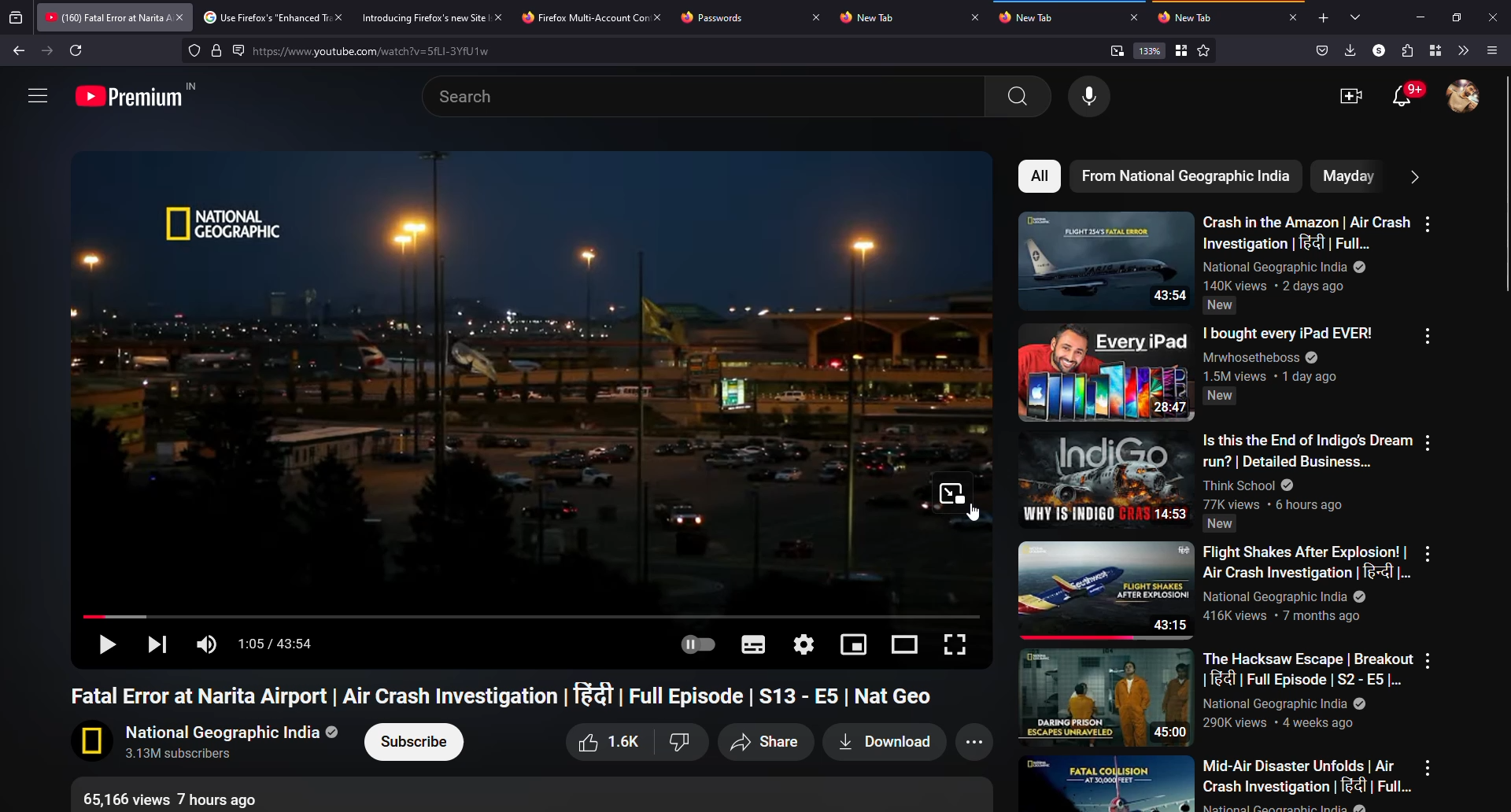 The image size is (1511, 812). I want to click on search, so click(709, 97).